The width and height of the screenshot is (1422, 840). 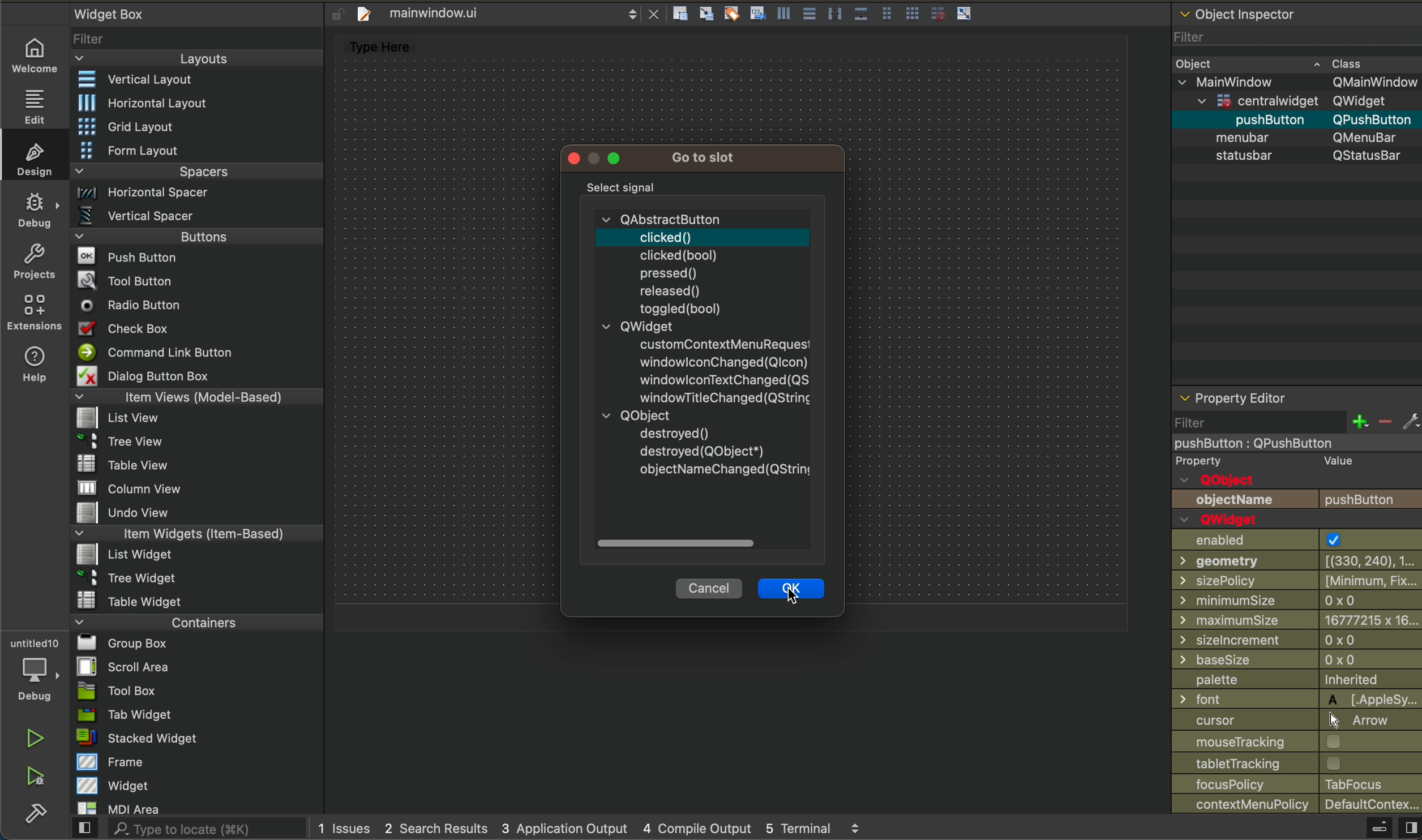 What do you see at coordinates (1297, 805) in the screenshot?
I see `context policy` at bounding box center [1297, 805].